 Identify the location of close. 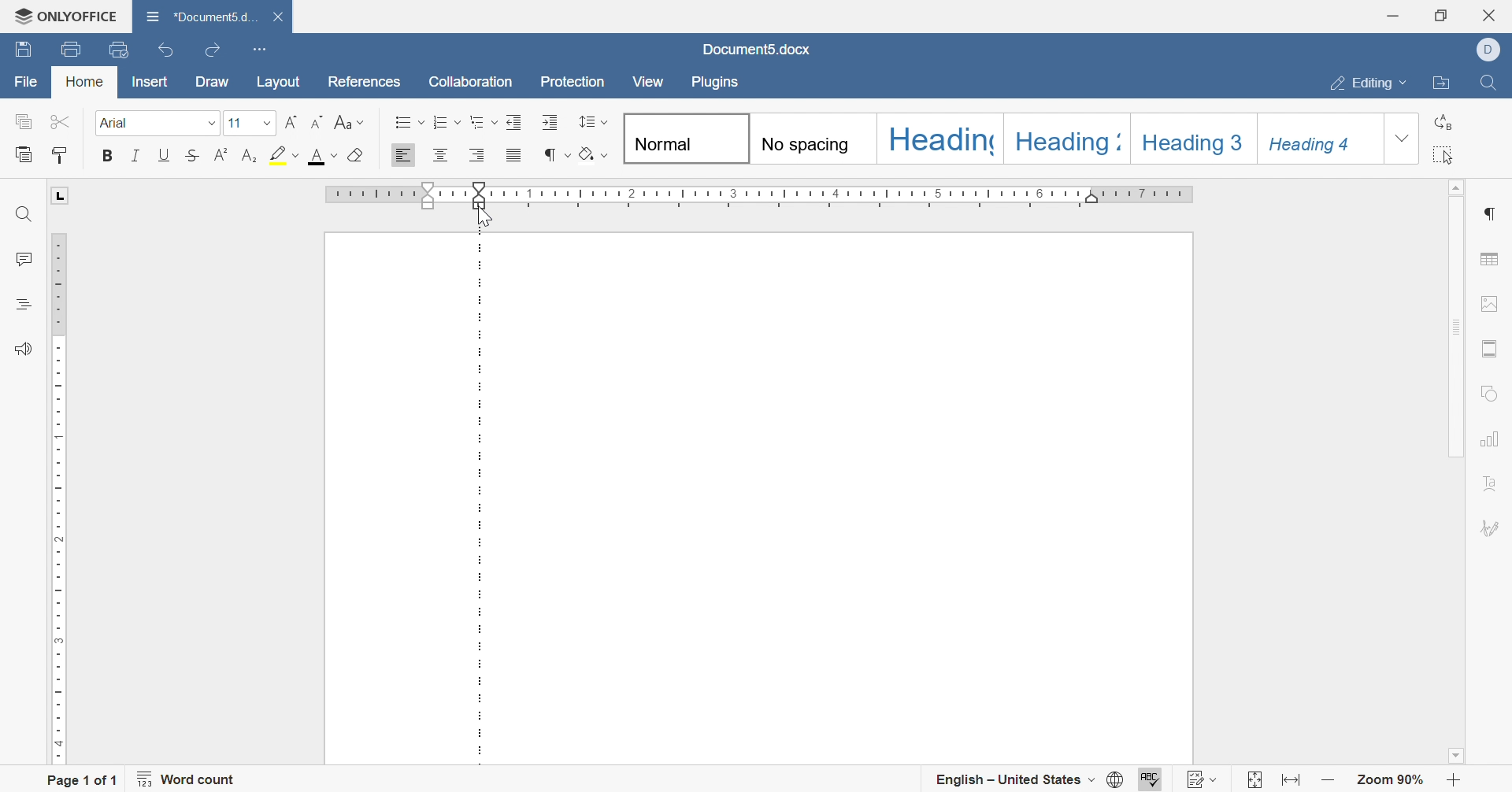
(276, 13).